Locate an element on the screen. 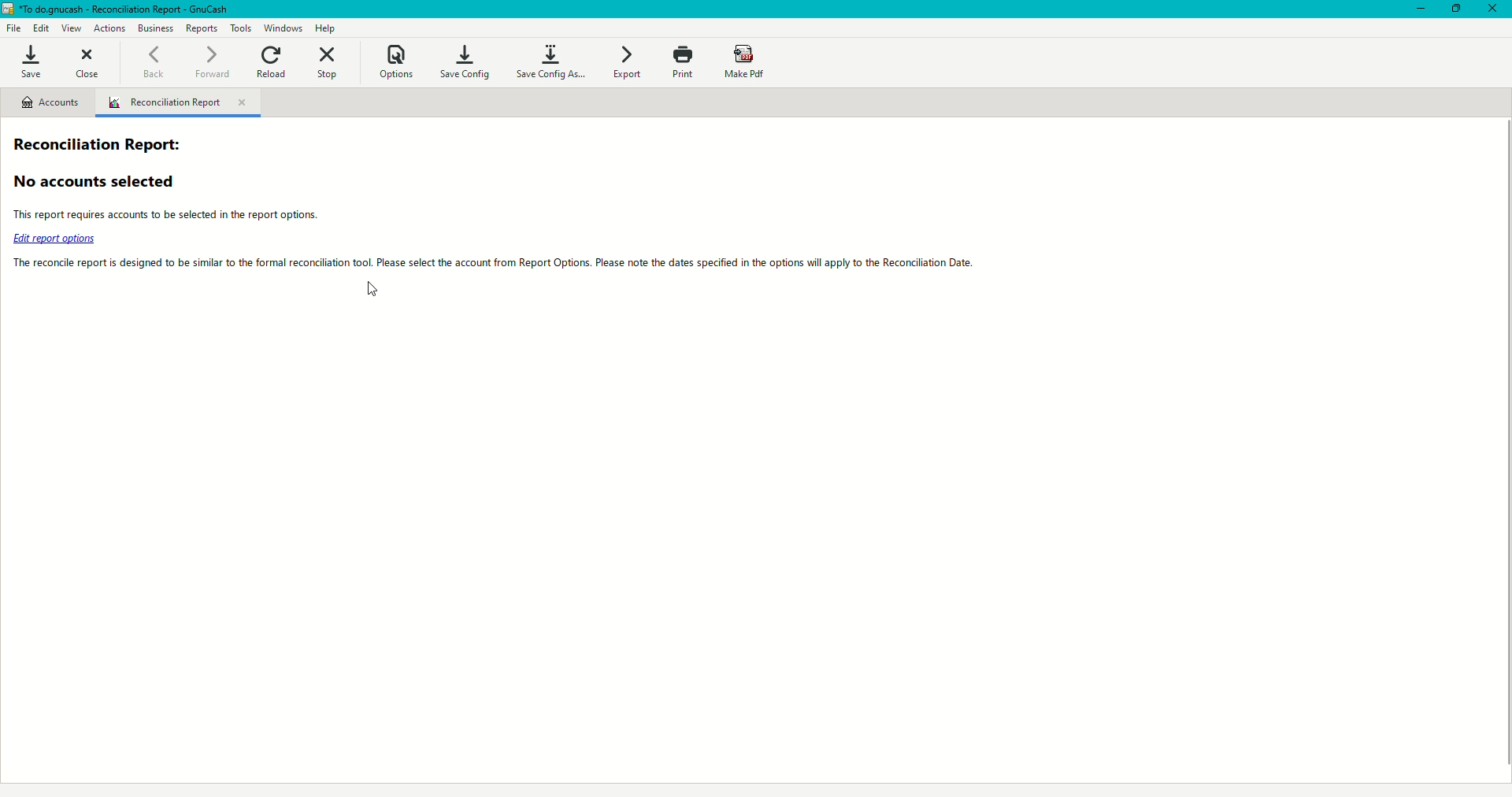  edit report options is located at coordinates (59, 239).